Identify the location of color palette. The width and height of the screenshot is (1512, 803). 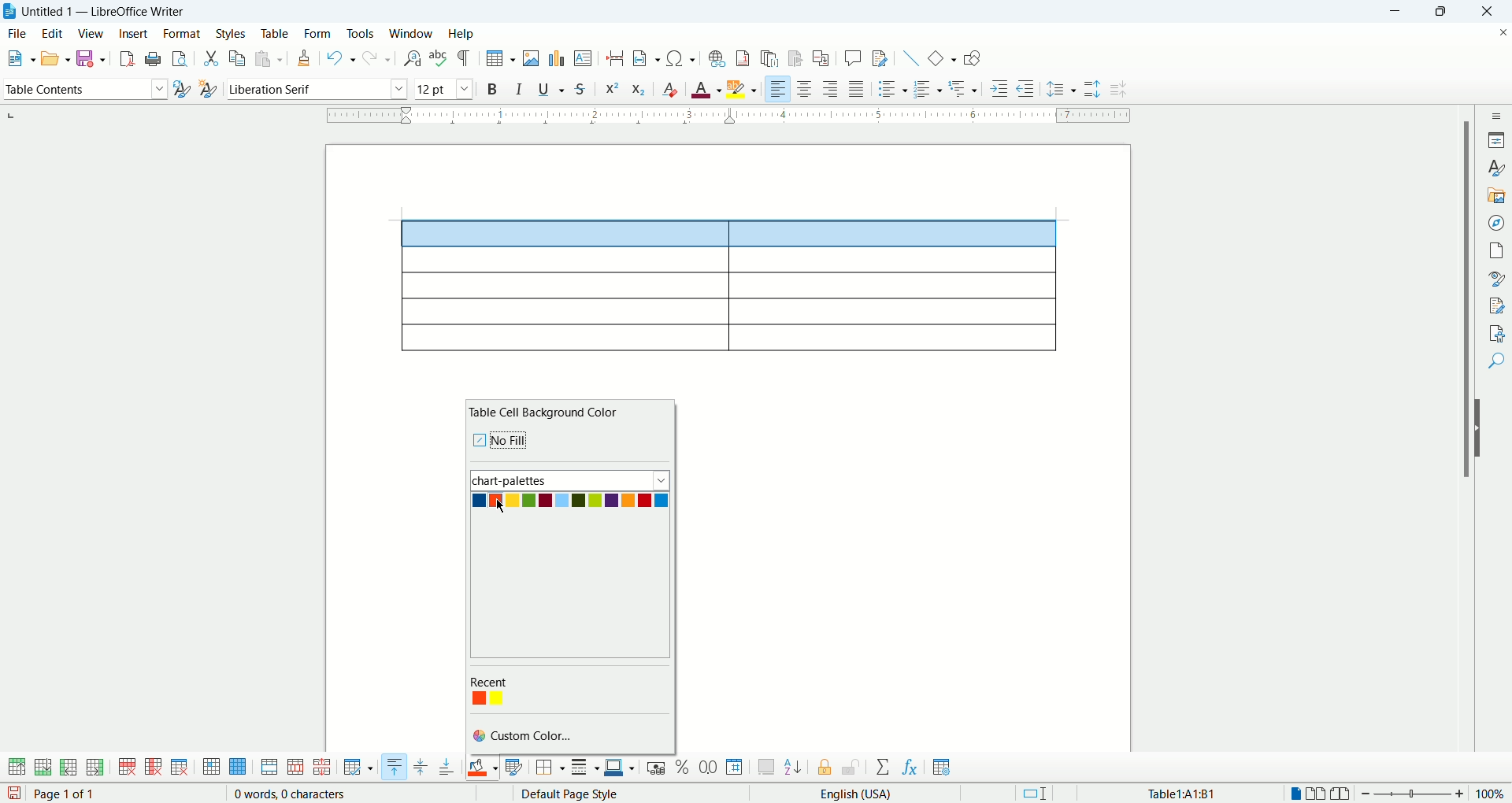
(569, 500).